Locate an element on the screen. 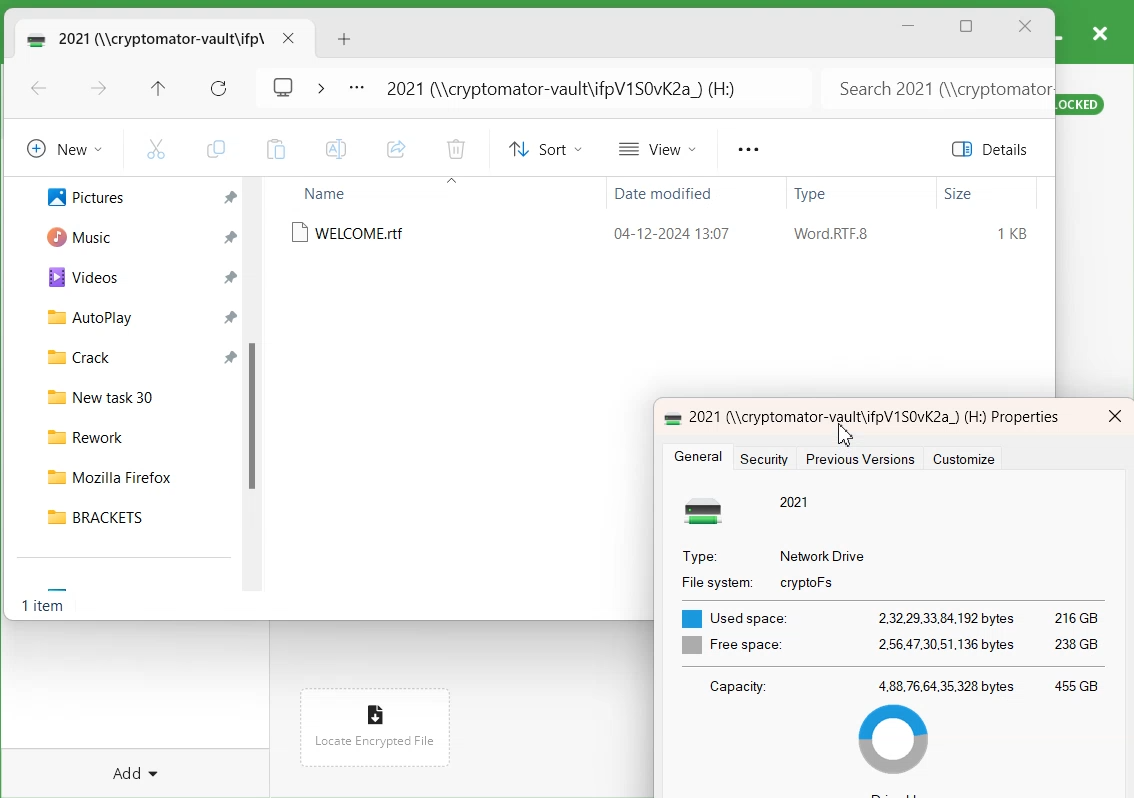  455 GB is located at coordinates (1077, 685).